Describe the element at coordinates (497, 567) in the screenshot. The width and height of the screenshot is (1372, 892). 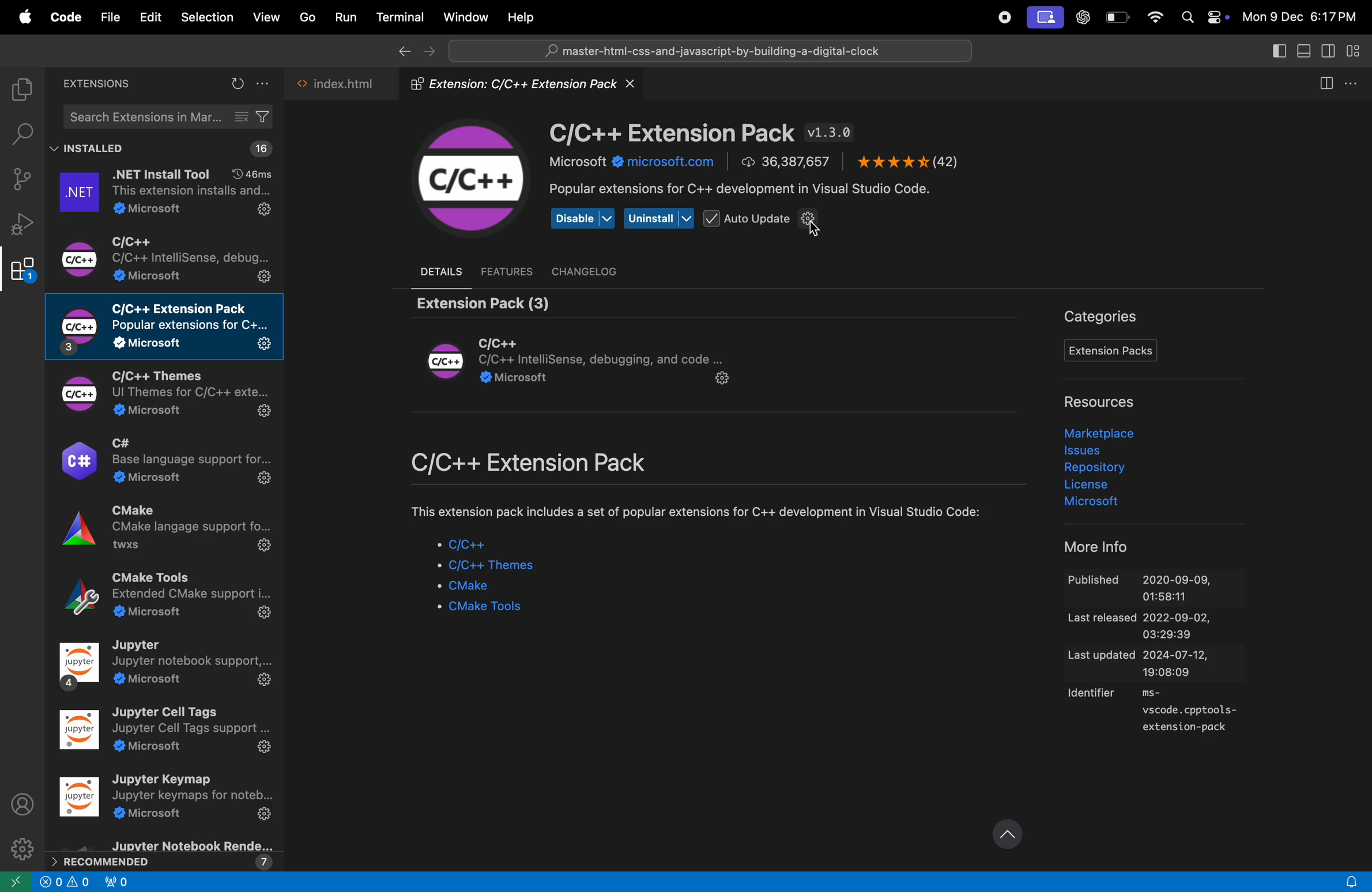
I see `c/C++ themes` at that location.